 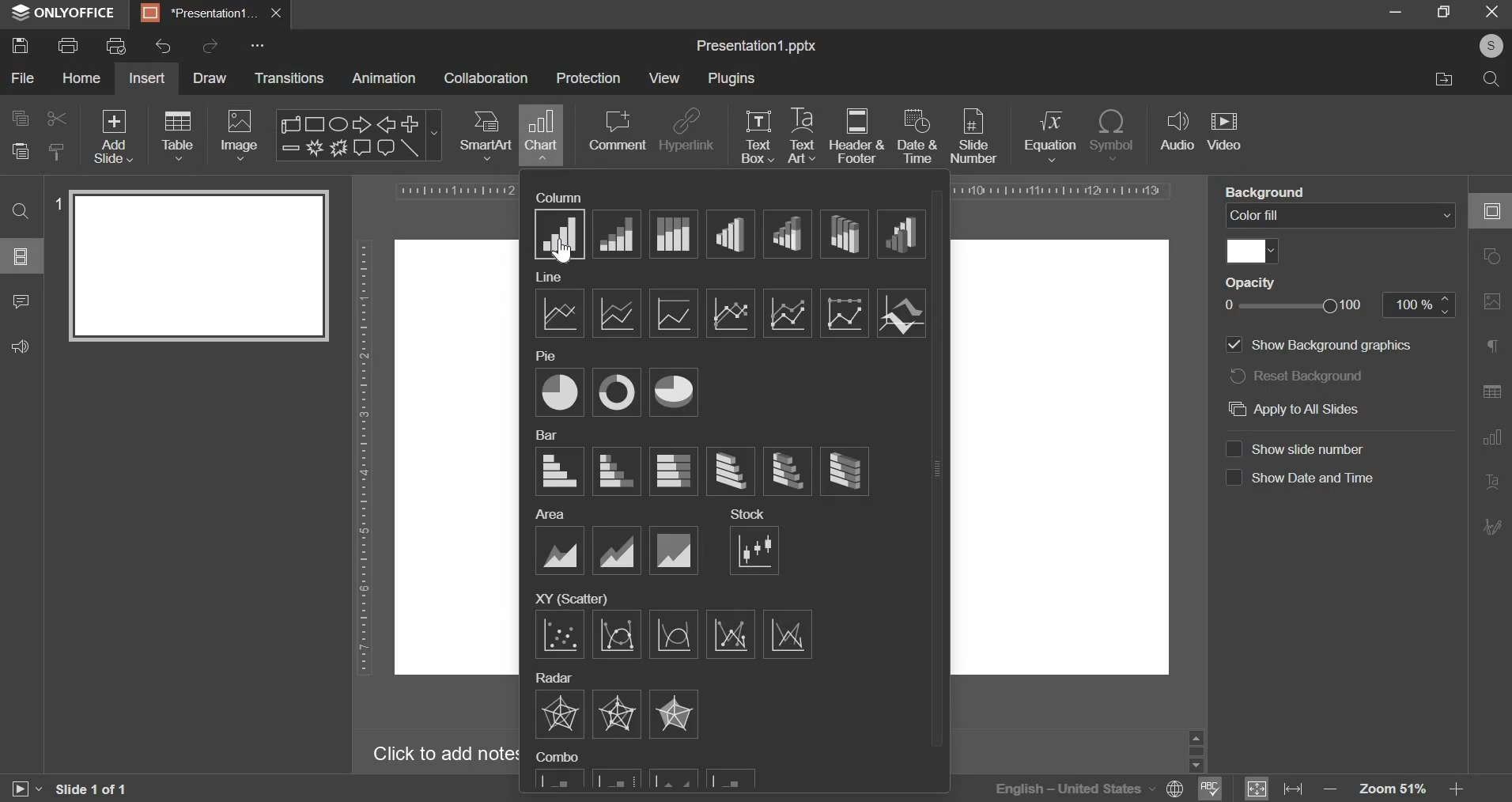 What do you see at coordinates (112, 135) in the screenshot?
I see `add slide` at bounding box center [112, 135].